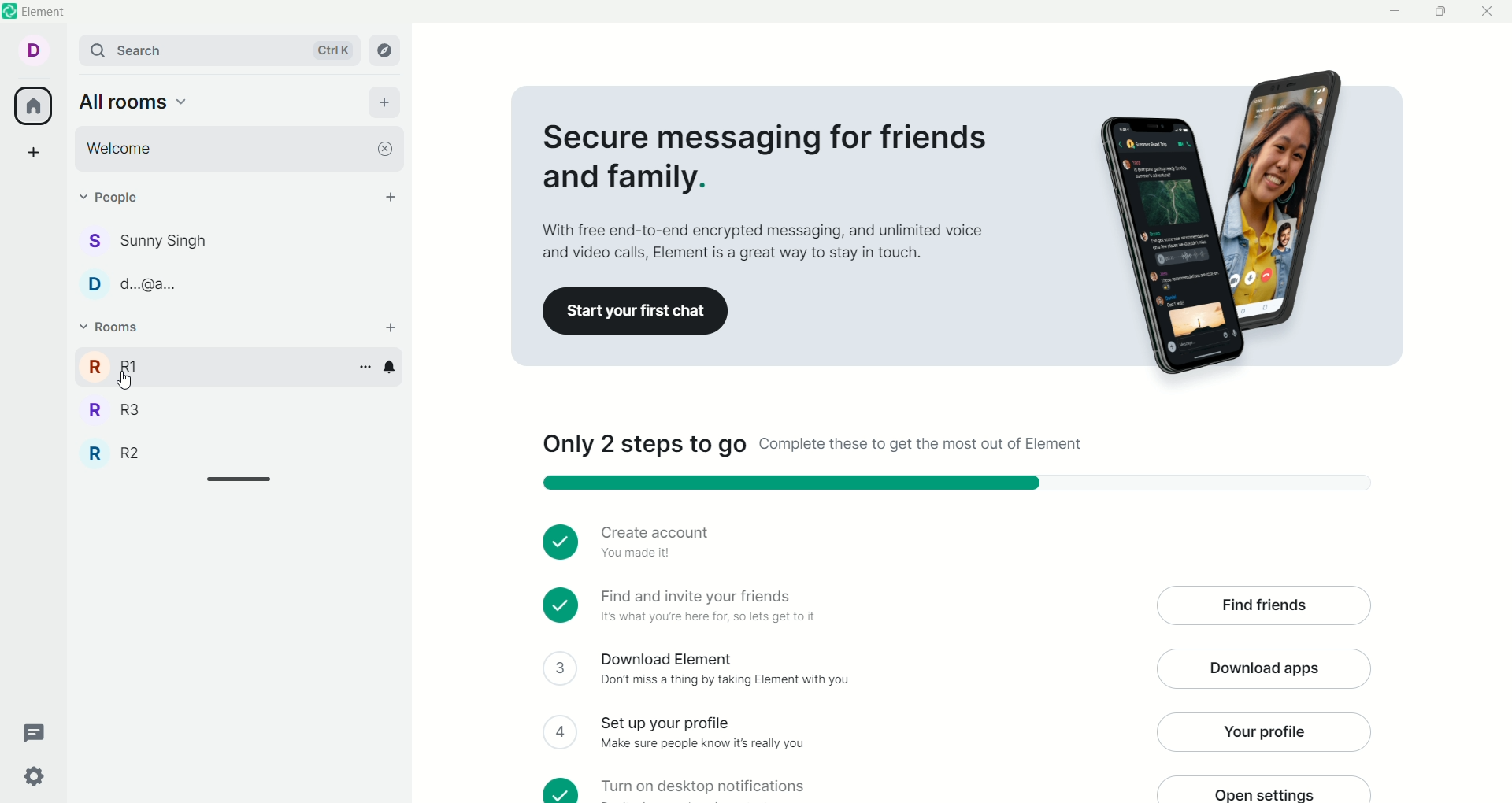  I want to click on Banner text, so click(768, 189).